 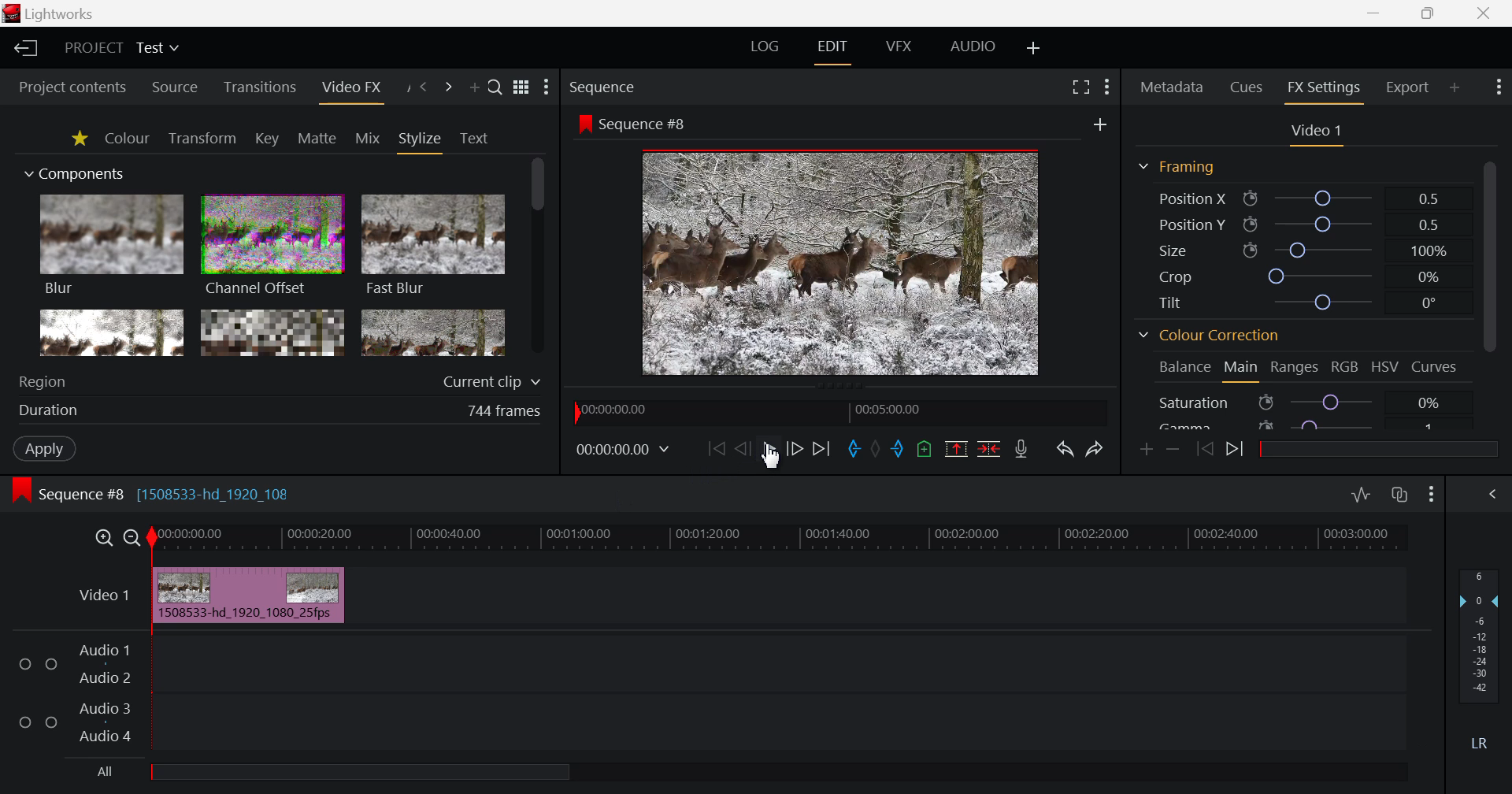 I want to click on Video FX, so click(x=350, y=88).